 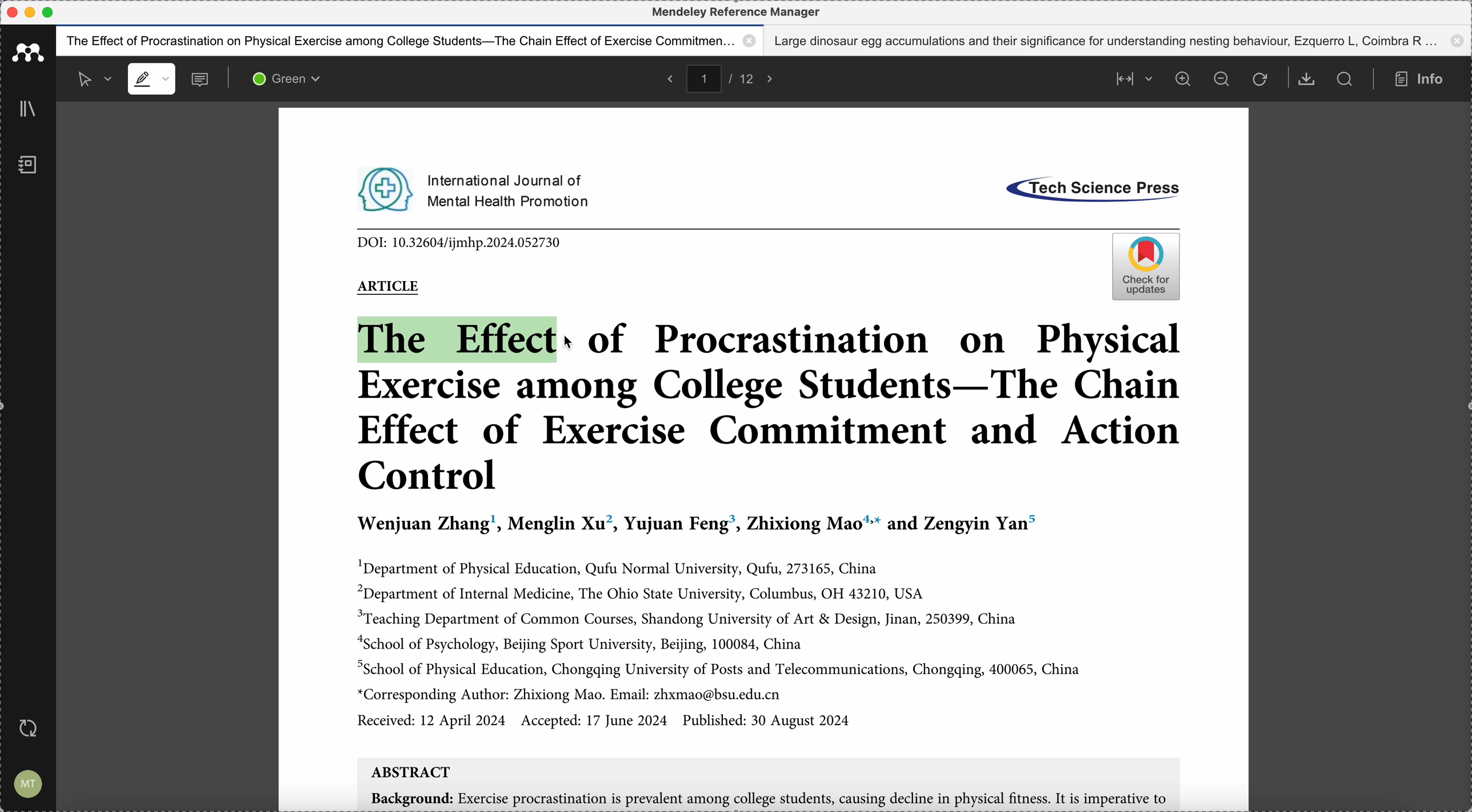 I want to click on green color, so click(x=289, y=81).